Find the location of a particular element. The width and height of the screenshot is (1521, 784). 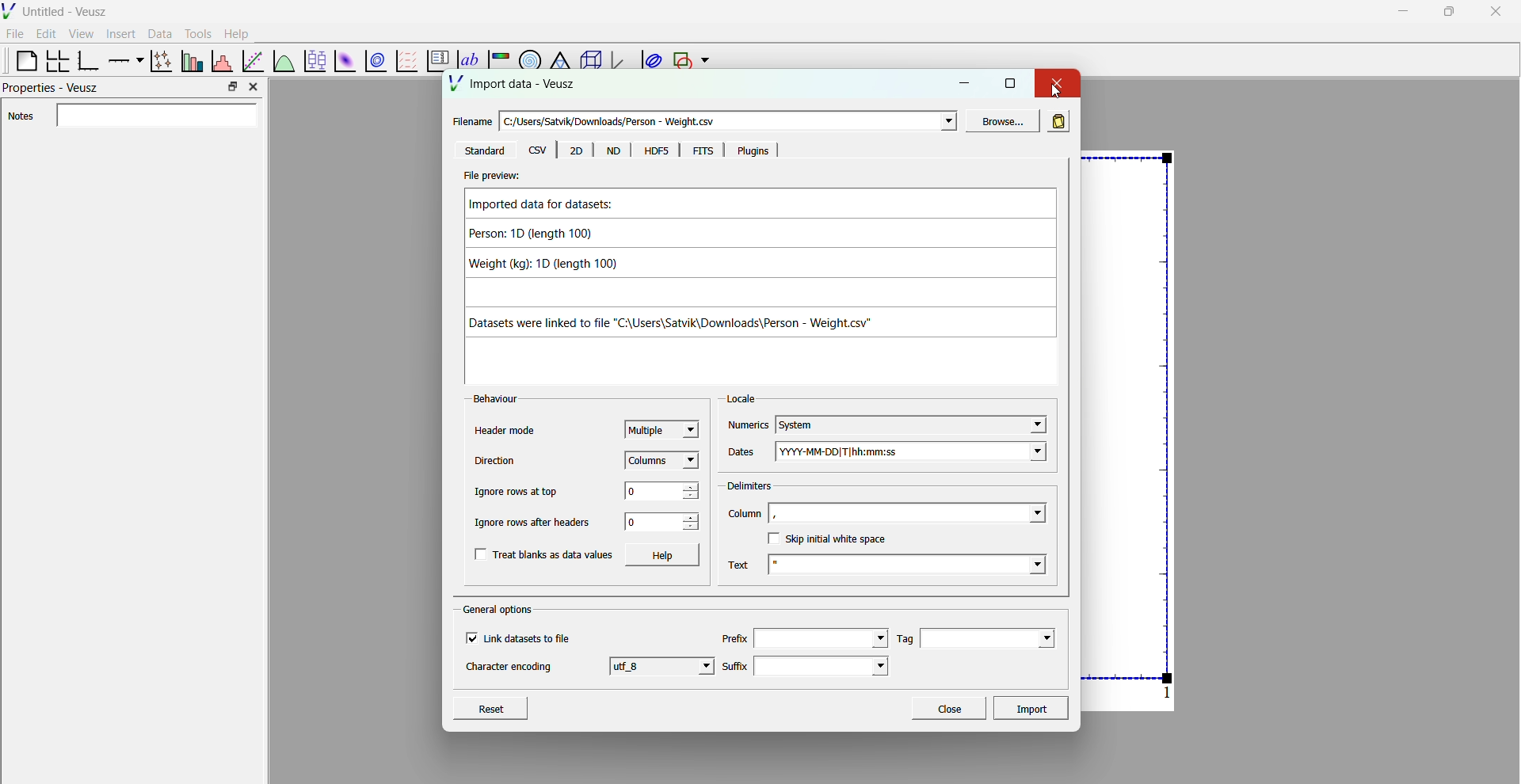

view is located at coordinates (81, 36).